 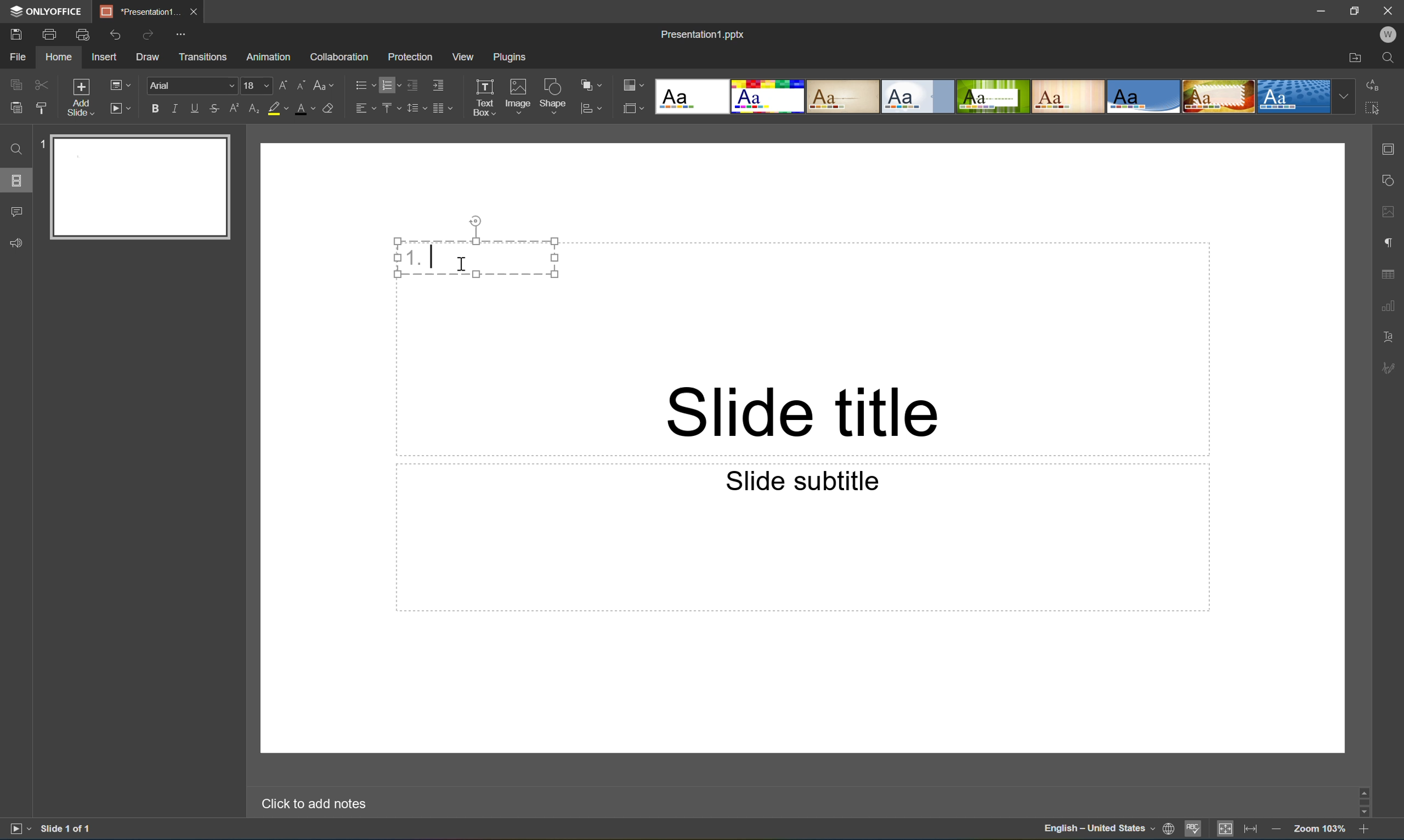 I want to click on Comments, so click(x=16, y=209).